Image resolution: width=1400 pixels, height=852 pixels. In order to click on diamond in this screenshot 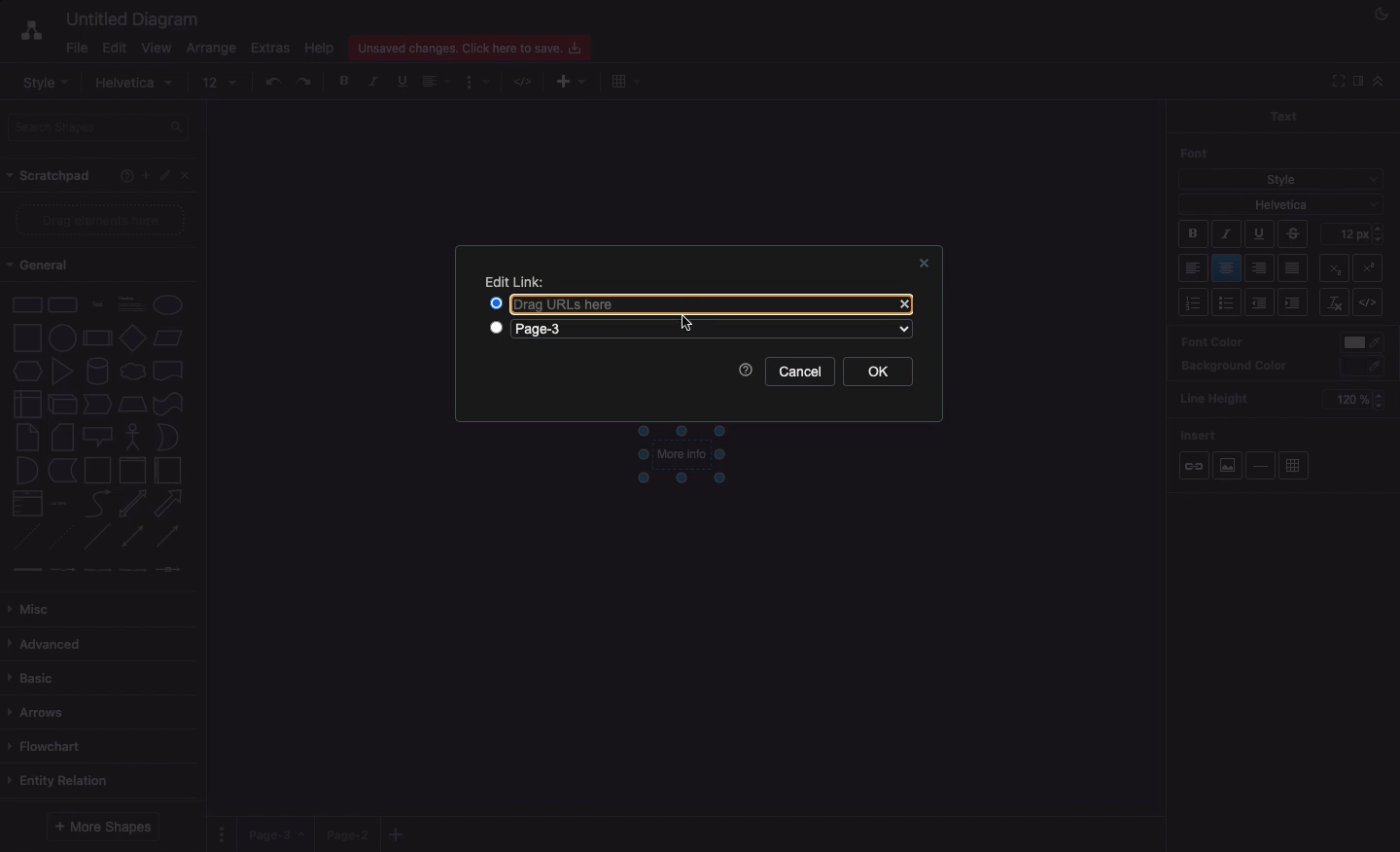, I will do `click(133, 337)`.